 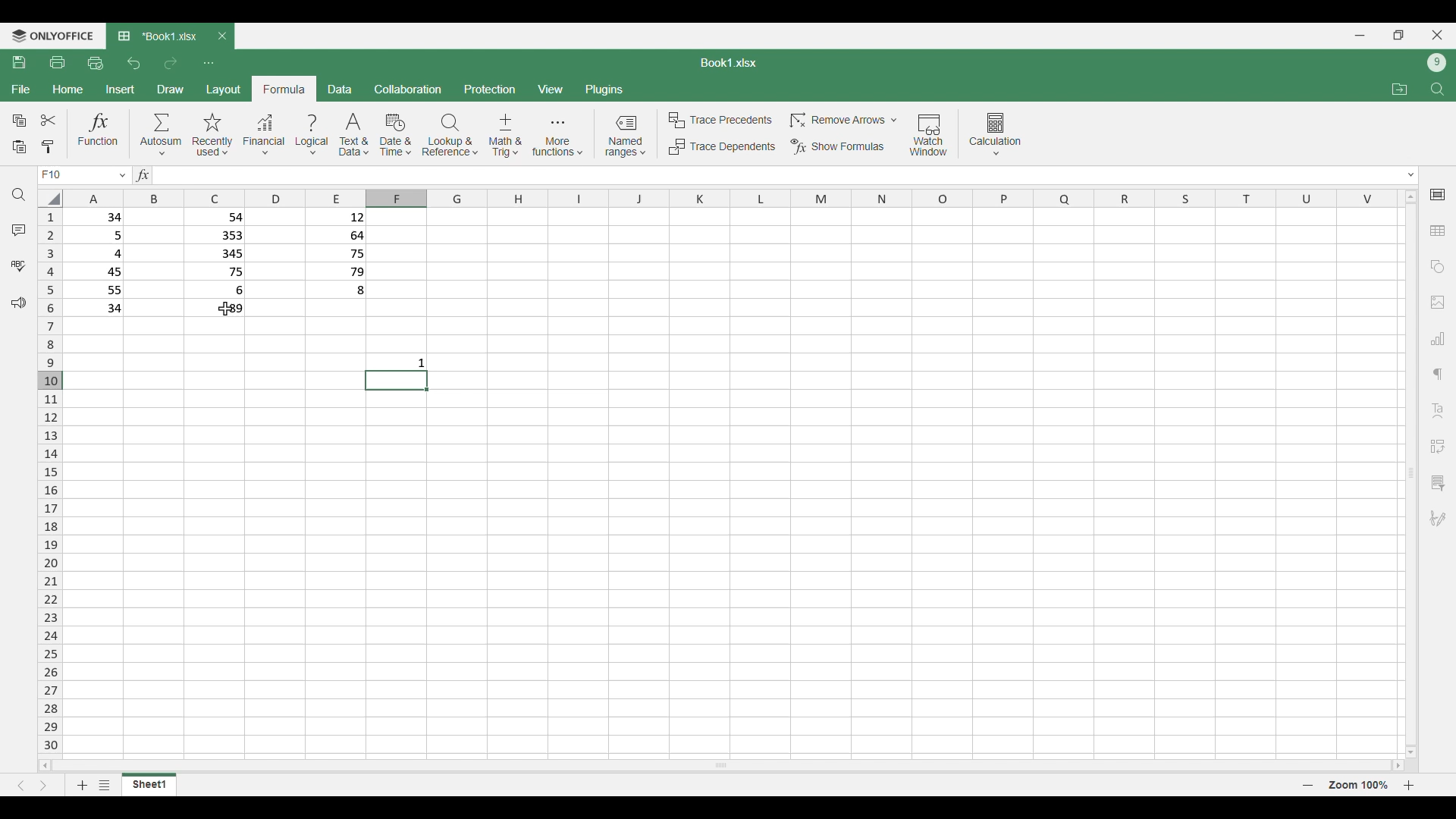 What do you see at coordinates (1398, 35) in the screenshot?
I see `Show in smaller tab` at bounding box center [1398, 35].